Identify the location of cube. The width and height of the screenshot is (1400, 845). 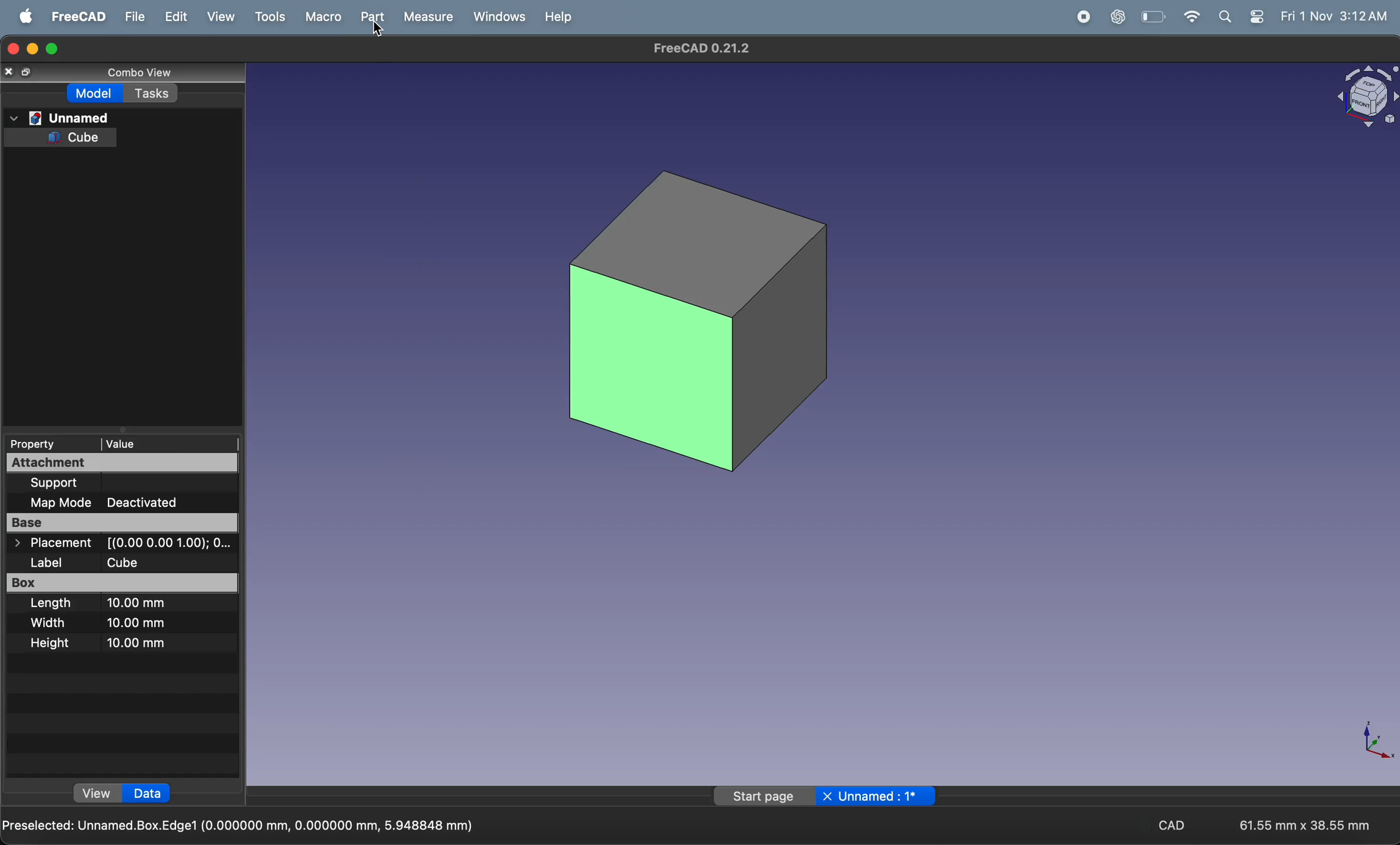
(707, 315).